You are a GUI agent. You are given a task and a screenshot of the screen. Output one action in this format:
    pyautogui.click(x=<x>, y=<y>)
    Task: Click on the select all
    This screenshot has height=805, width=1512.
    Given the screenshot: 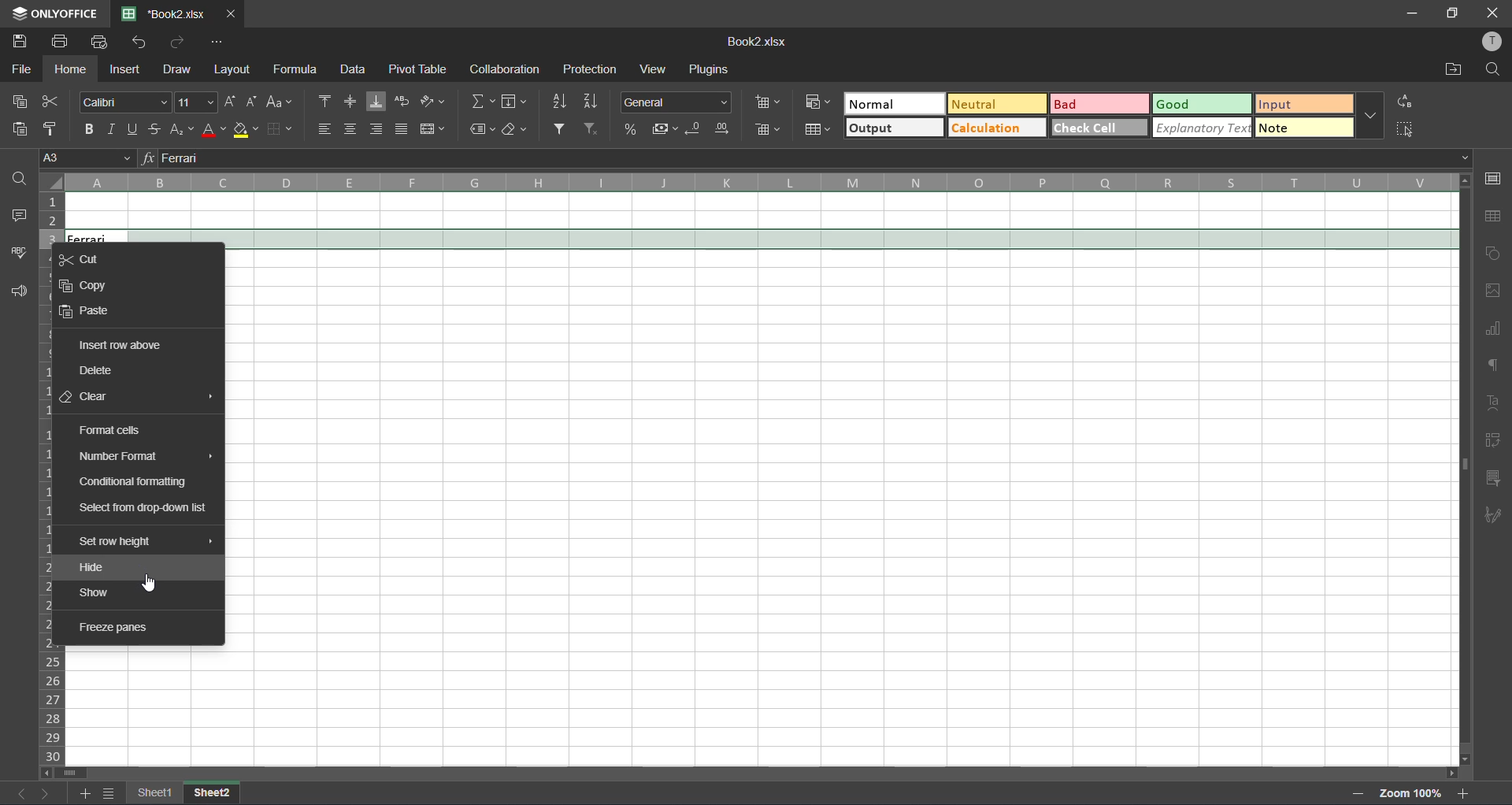 What is the action you would take?
    pyautogui.click(x=1406, y=128)
    